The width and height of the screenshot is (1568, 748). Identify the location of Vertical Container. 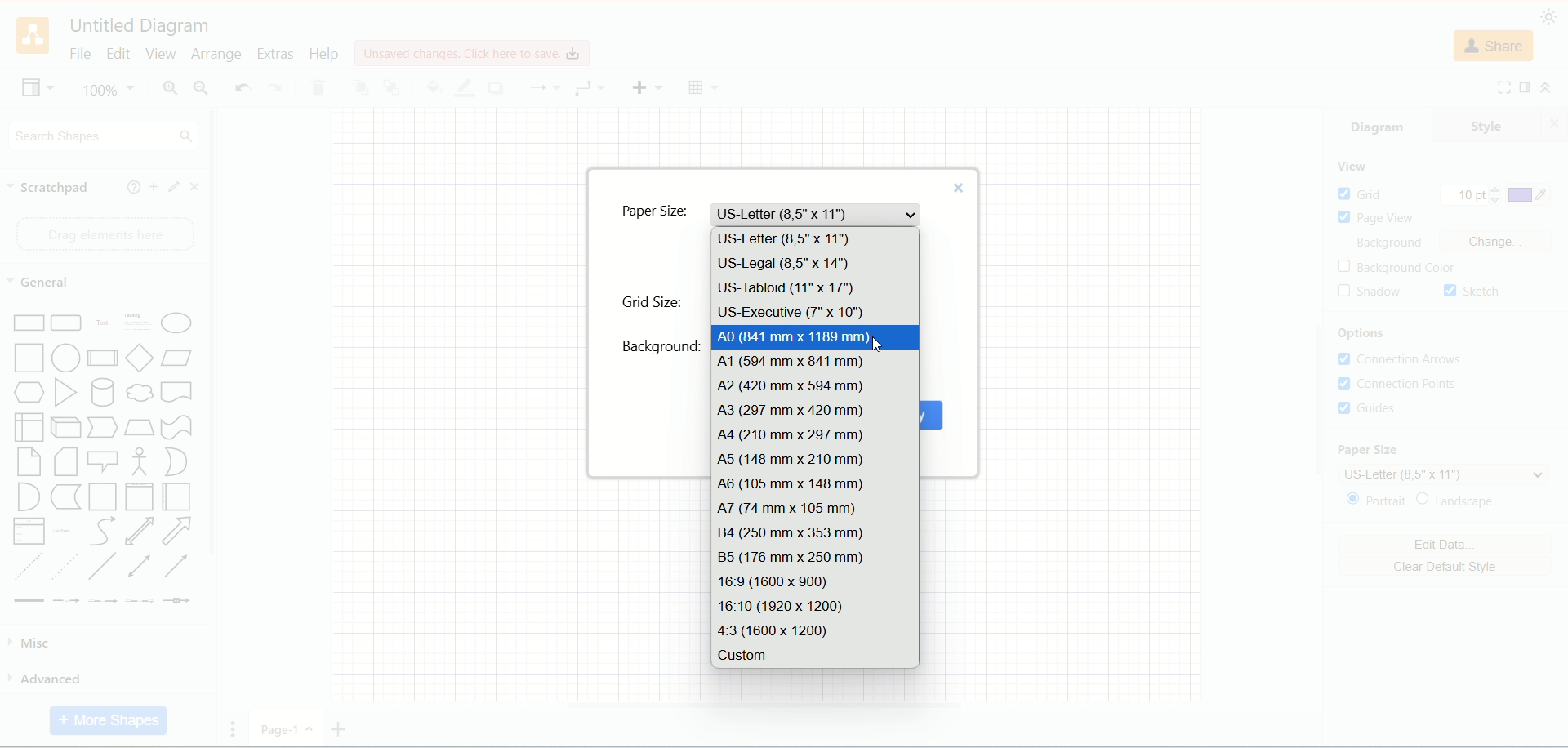
(139, 497).